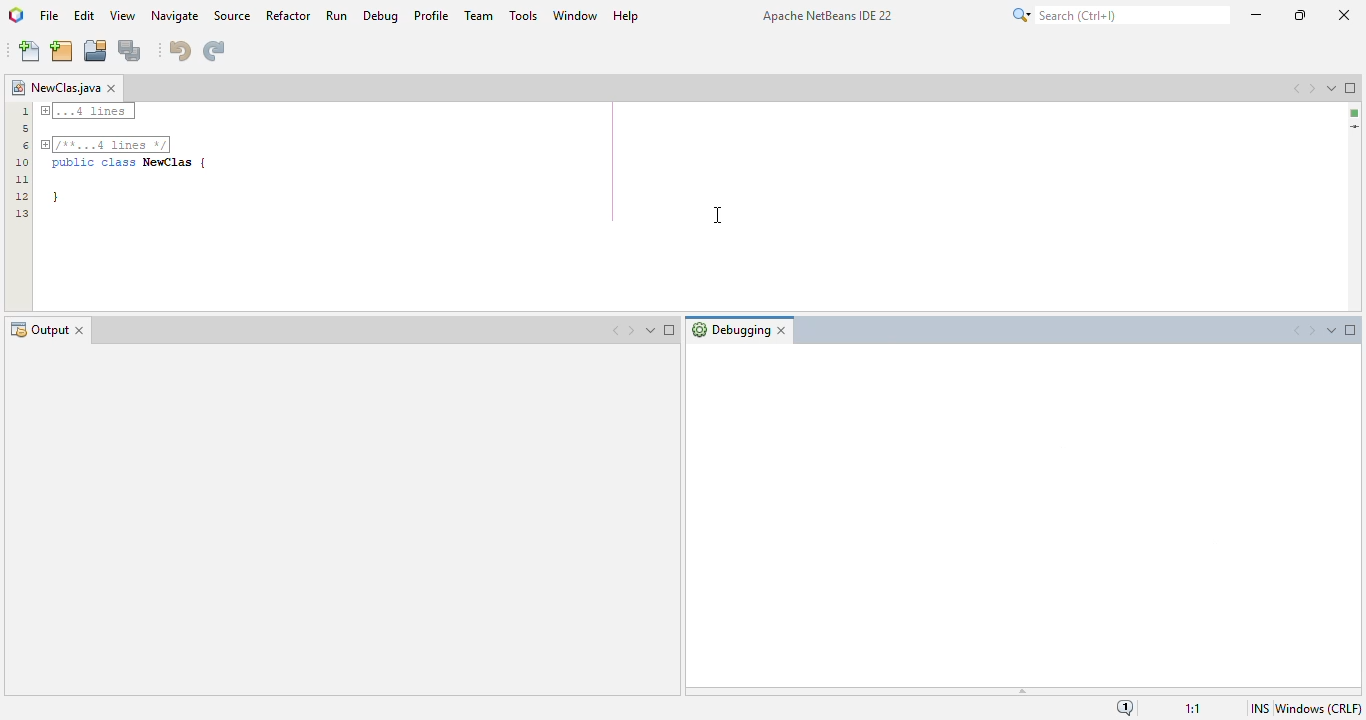 The width and height of the screenshot is (1366, 720). What do you see at coordinates (83, 15) in the screenshot?
I see `edit` at bounding box center [83, 15].